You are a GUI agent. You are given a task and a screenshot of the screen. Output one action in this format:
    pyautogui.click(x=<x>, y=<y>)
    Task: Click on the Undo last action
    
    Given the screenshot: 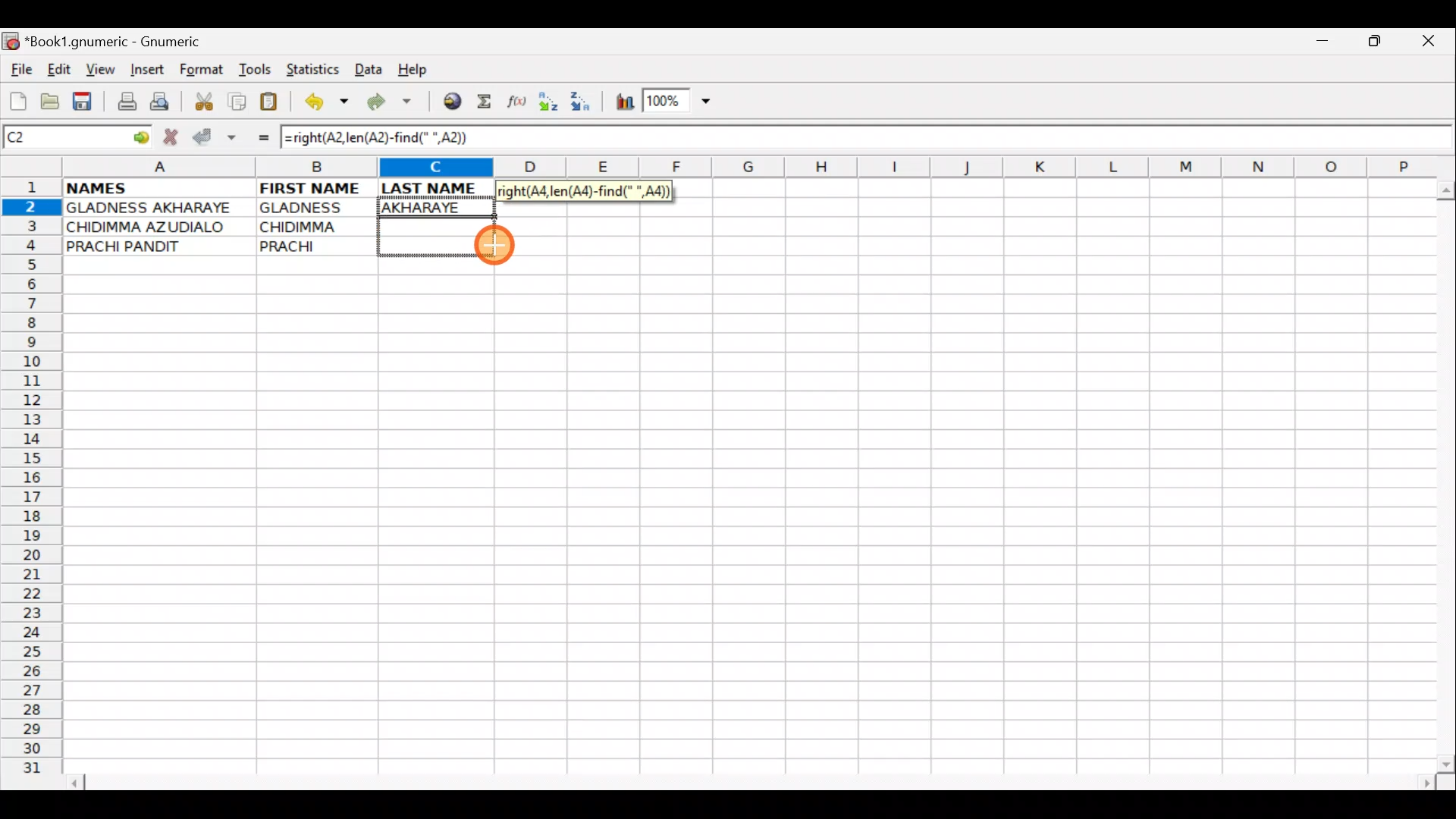 What is the action you would take?
    pyautogui.click(x=328, y=104)
    